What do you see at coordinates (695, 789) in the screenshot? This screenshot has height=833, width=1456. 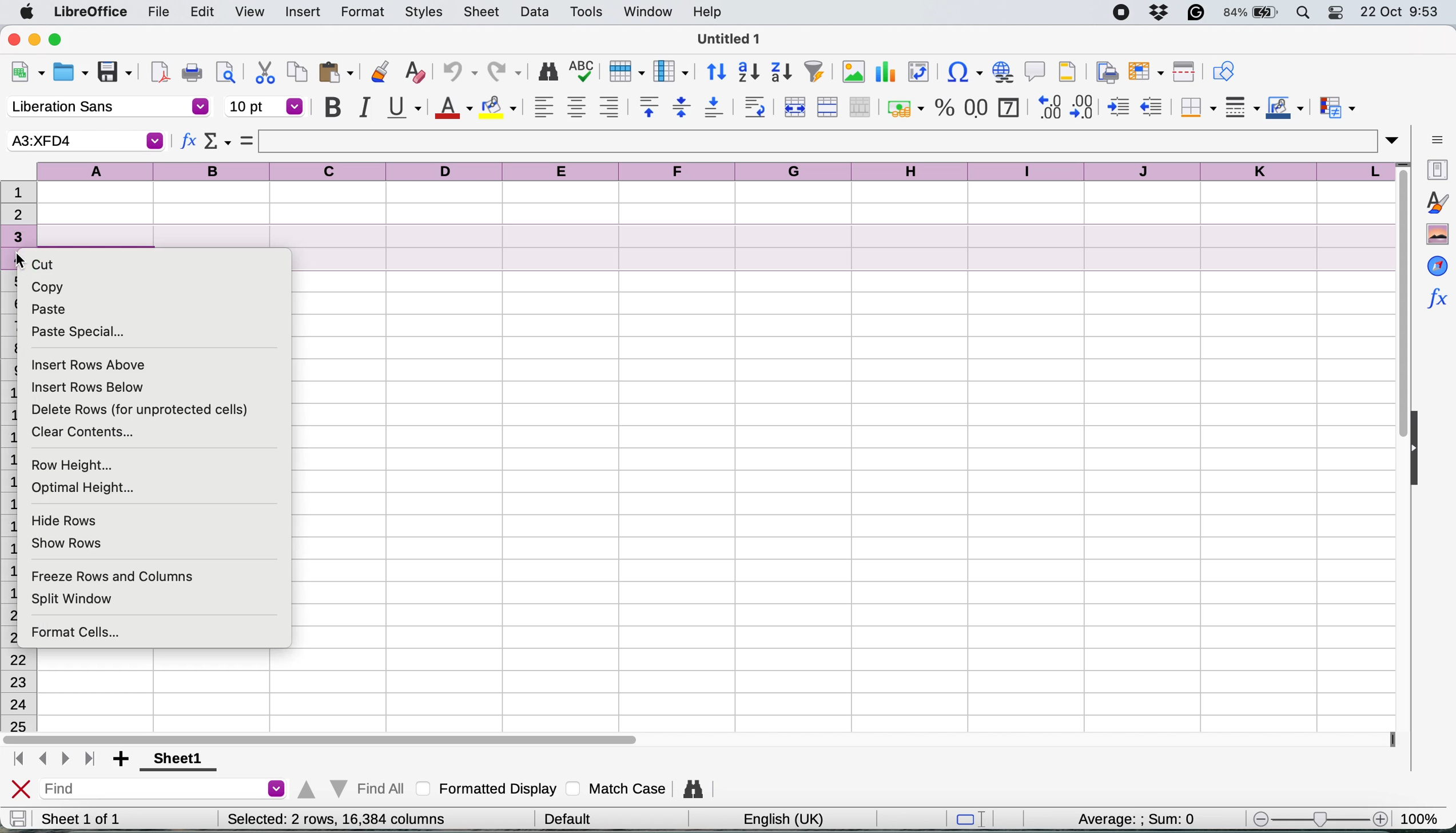 I see `find and replace` at bounding box center [695, 789].